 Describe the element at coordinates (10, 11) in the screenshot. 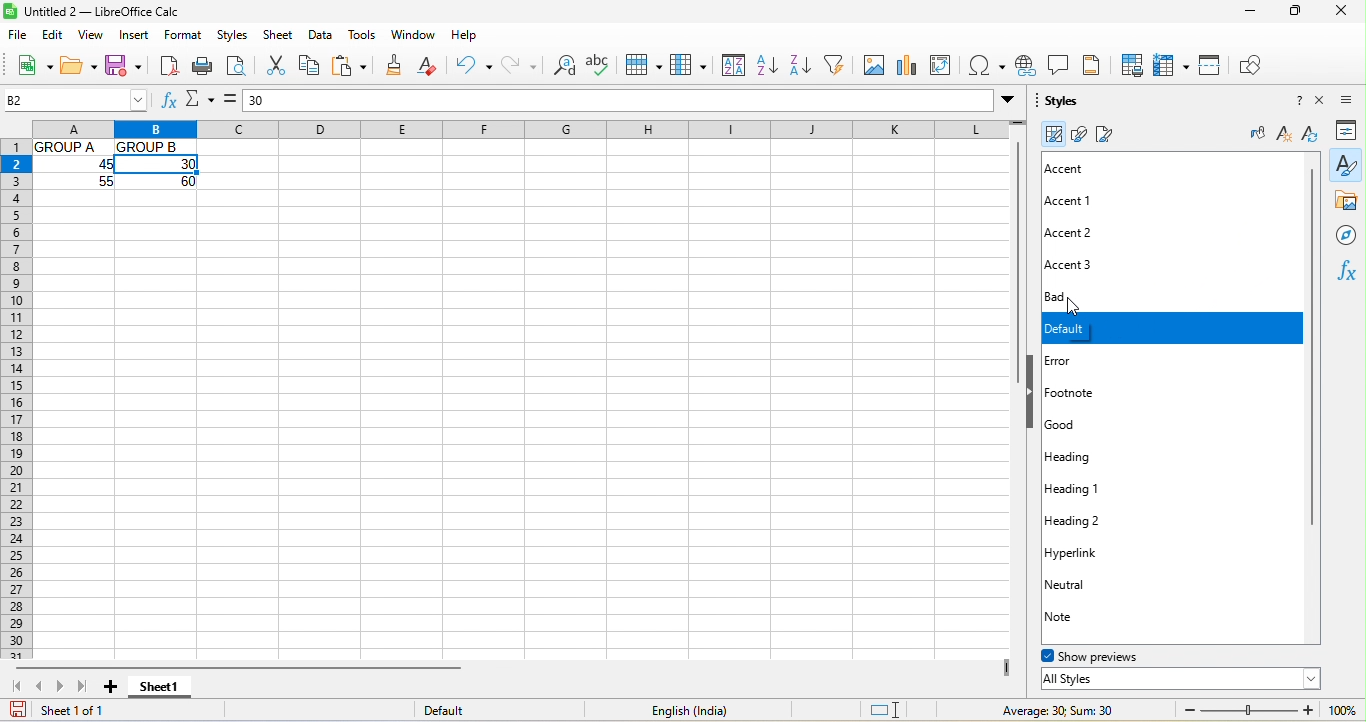

I see `LibreOffice Logo` at that location.